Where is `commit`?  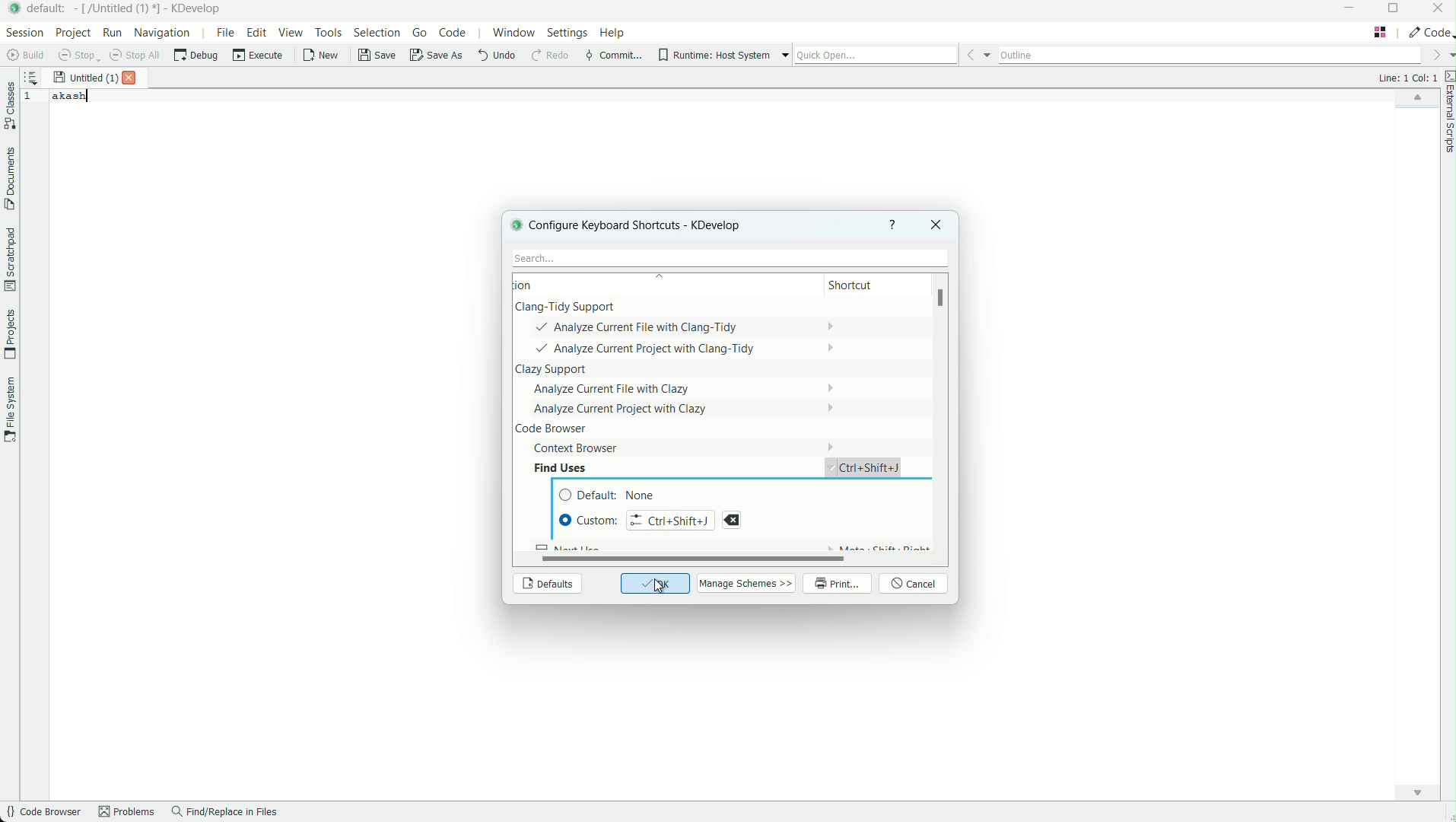 commit is located at coordinates (613, 56).